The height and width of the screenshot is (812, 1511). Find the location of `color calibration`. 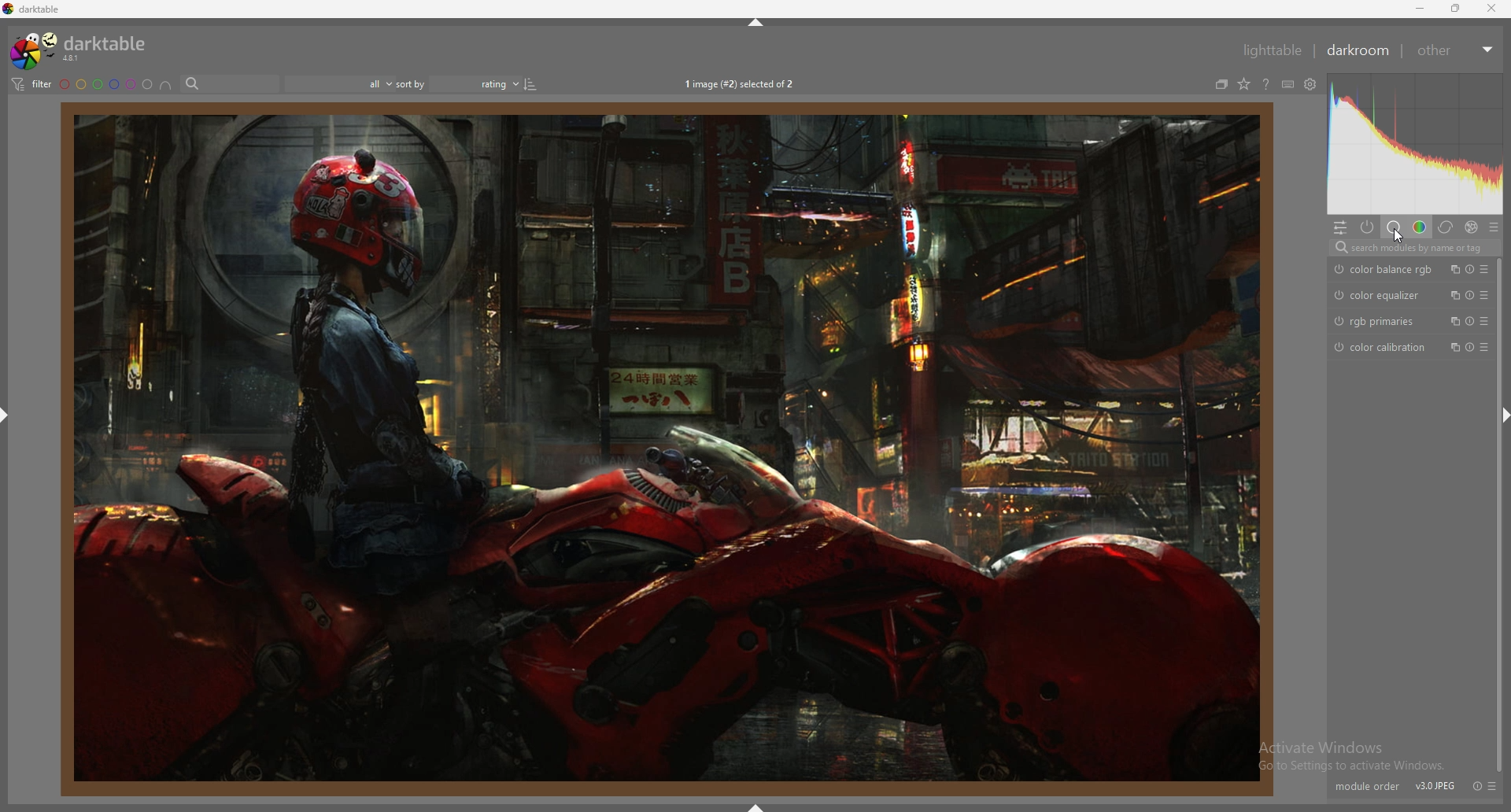

color calibration is located at coordinates (1380, 348).